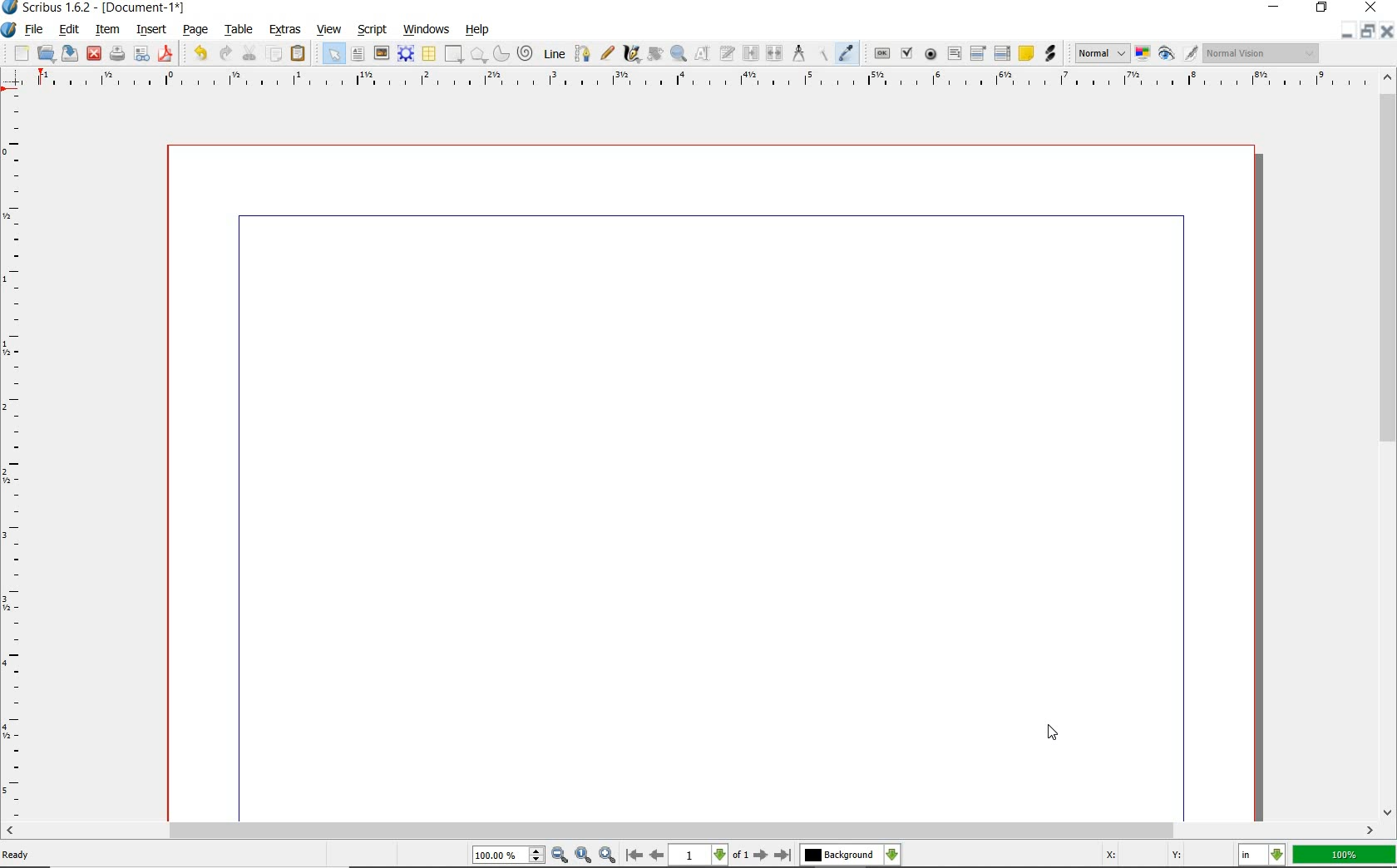 The image size is (1397, 868). What do you see at coordinates (500, 55) in the screenshot?
I see `arc` at bounding box center [500, 55].